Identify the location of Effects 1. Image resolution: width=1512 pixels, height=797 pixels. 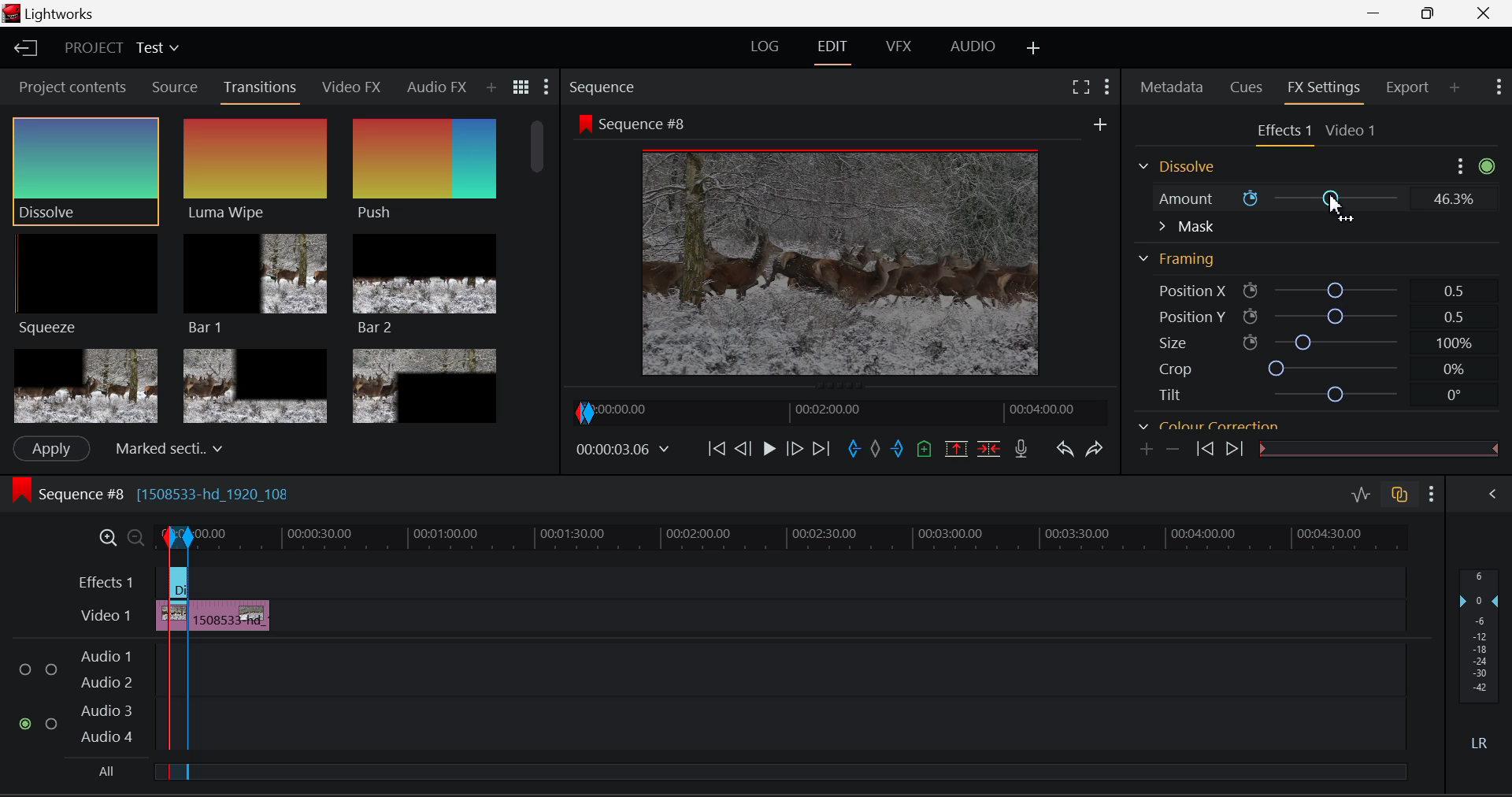
(107, 581).